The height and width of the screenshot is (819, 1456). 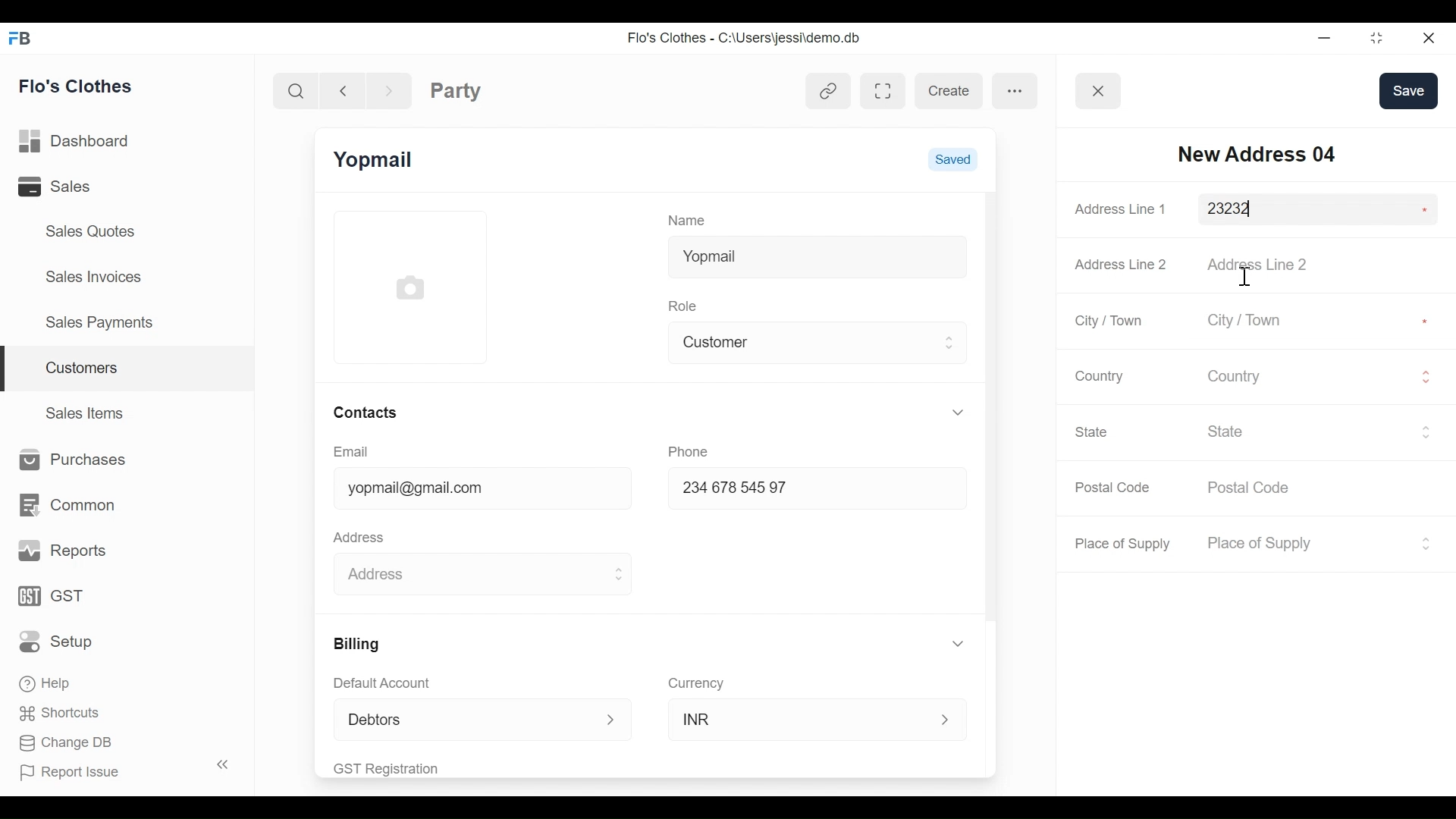 I want to click on Yopmail, so click(x=375, y=160).